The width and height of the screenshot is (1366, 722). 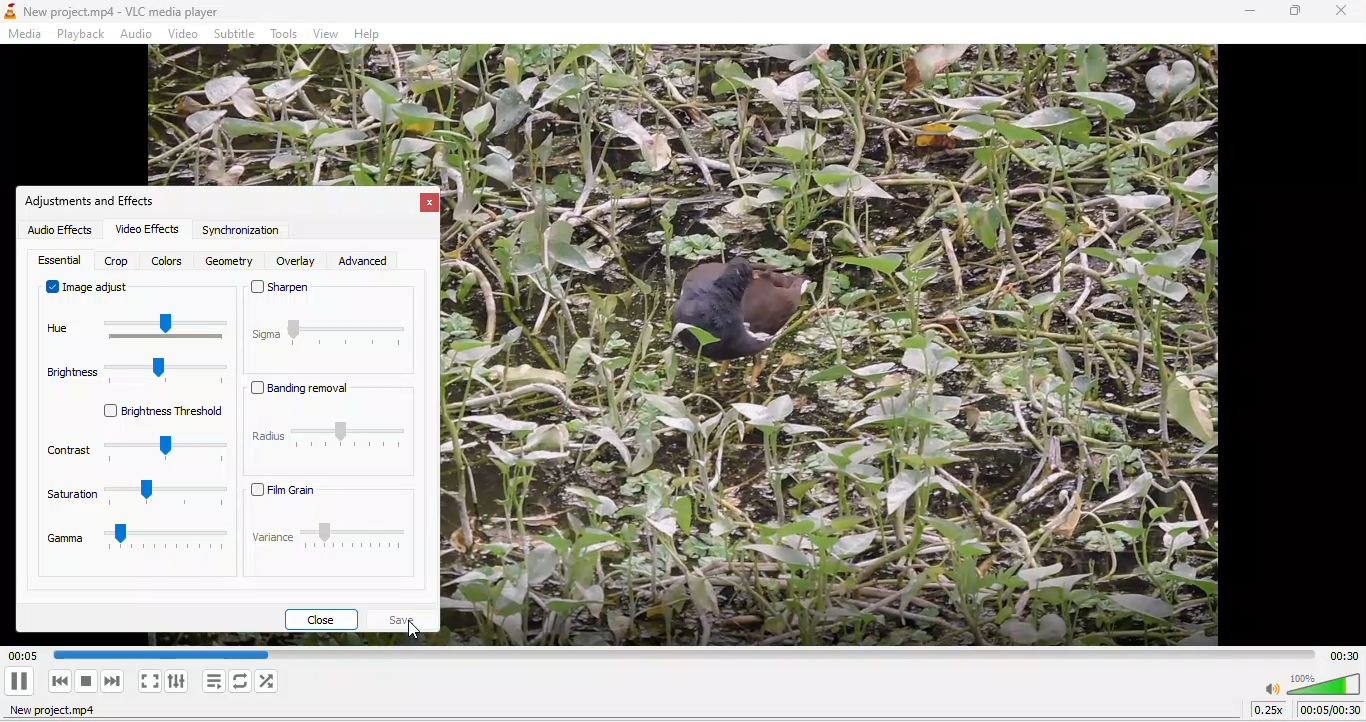 I want to click on equalzer, so click(x=59, y=260).